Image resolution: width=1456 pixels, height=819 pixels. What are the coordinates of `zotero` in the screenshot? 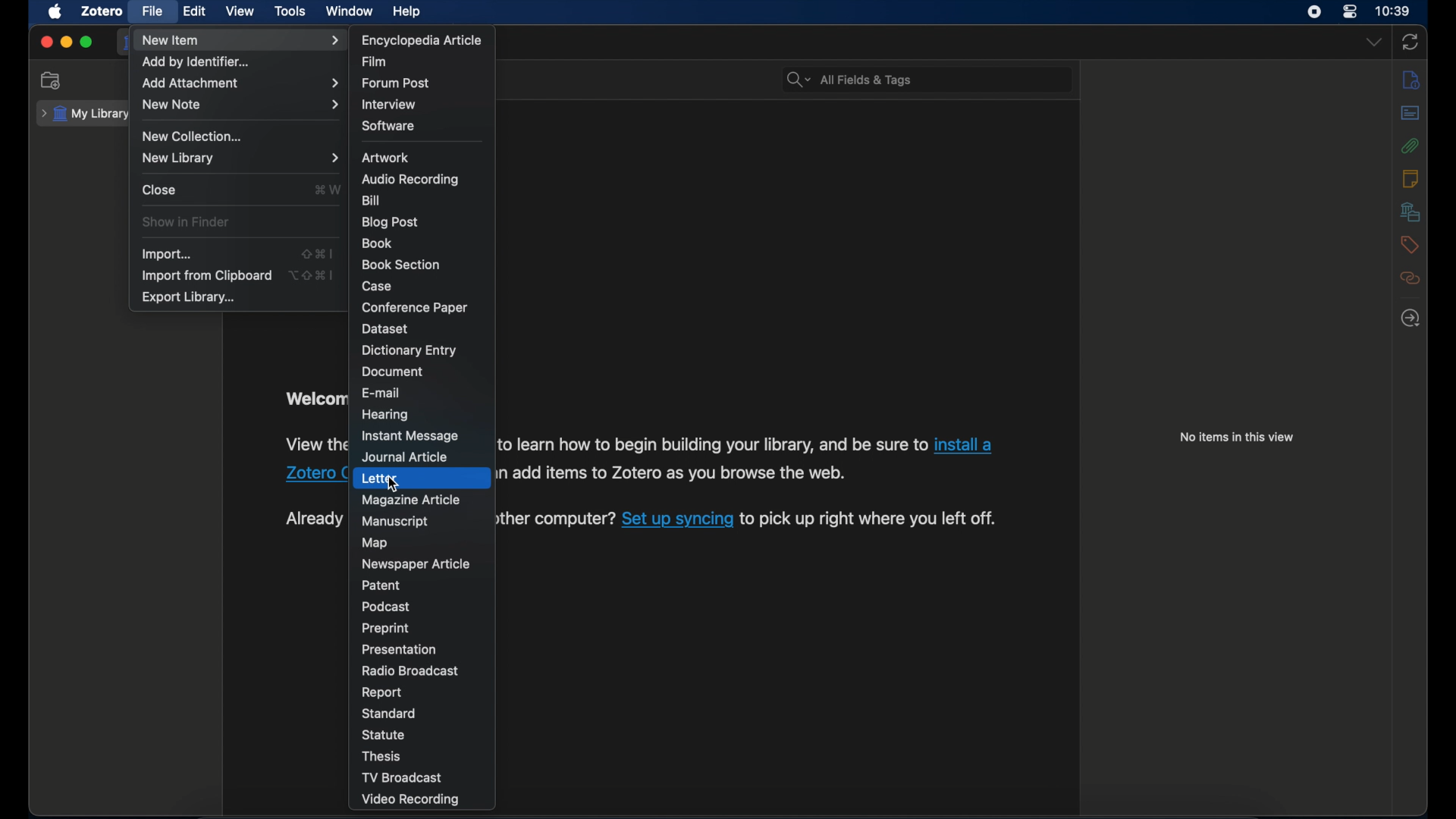 It's located at (103, 11).